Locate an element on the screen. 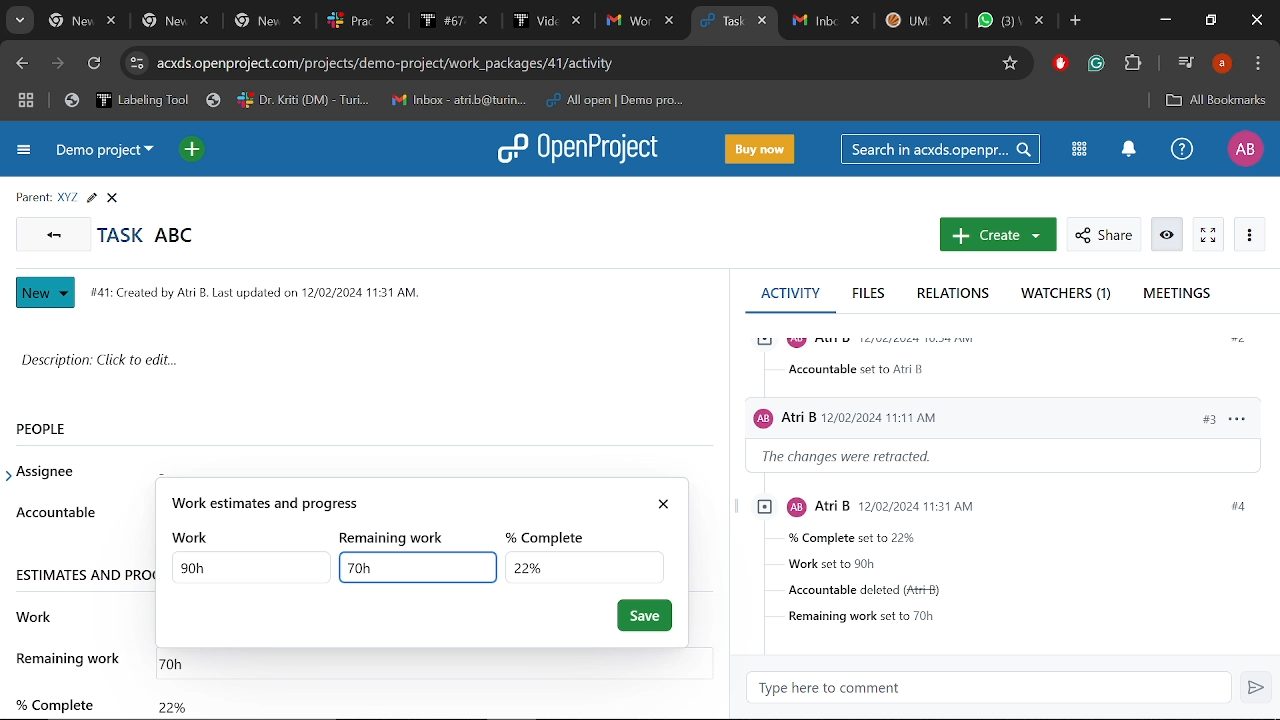  Tab groups is located at coordinates (26, 102).